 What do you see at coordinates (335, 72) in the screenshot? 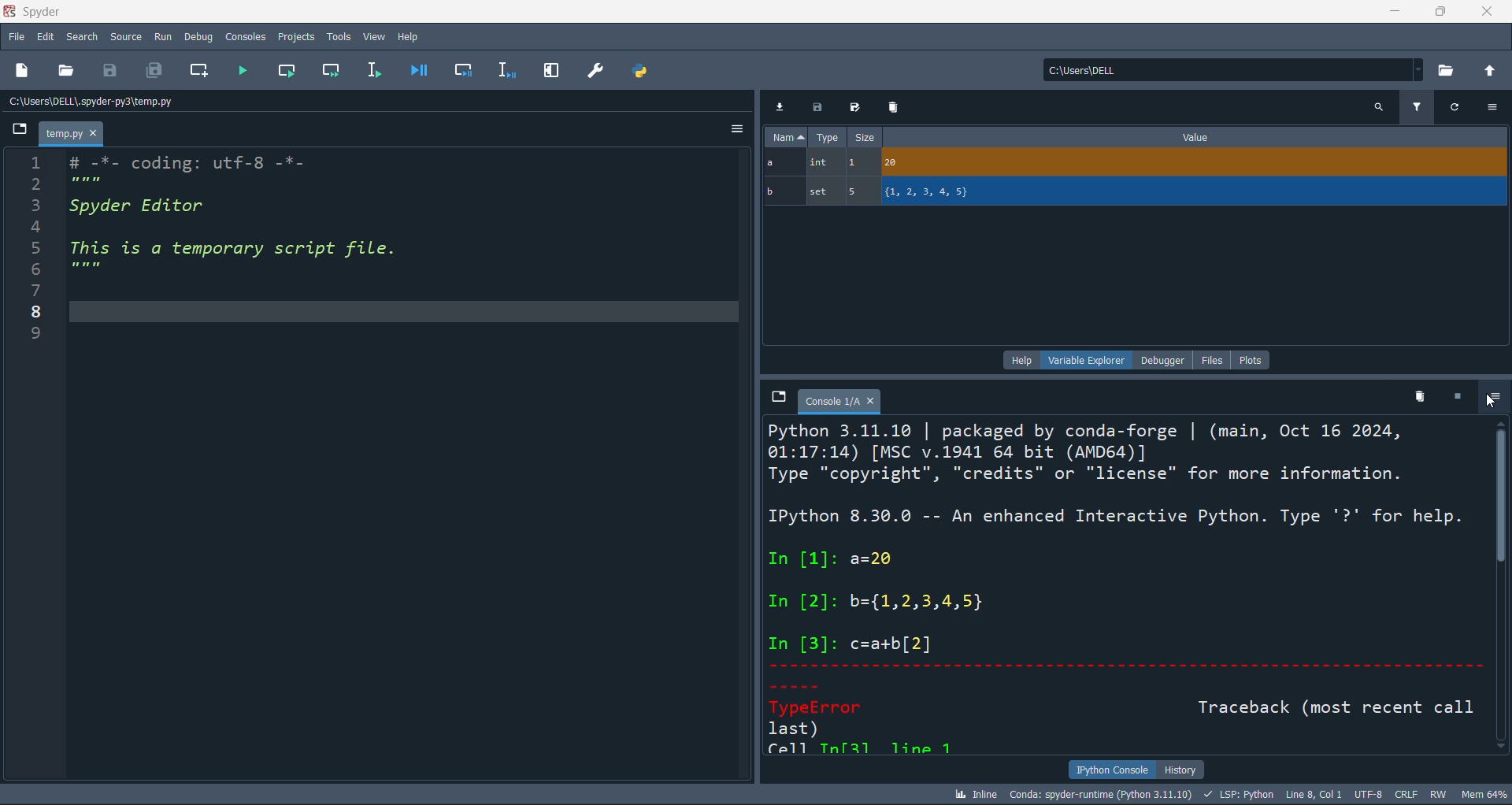
I see `run cell` at bounding box center [335, 72].